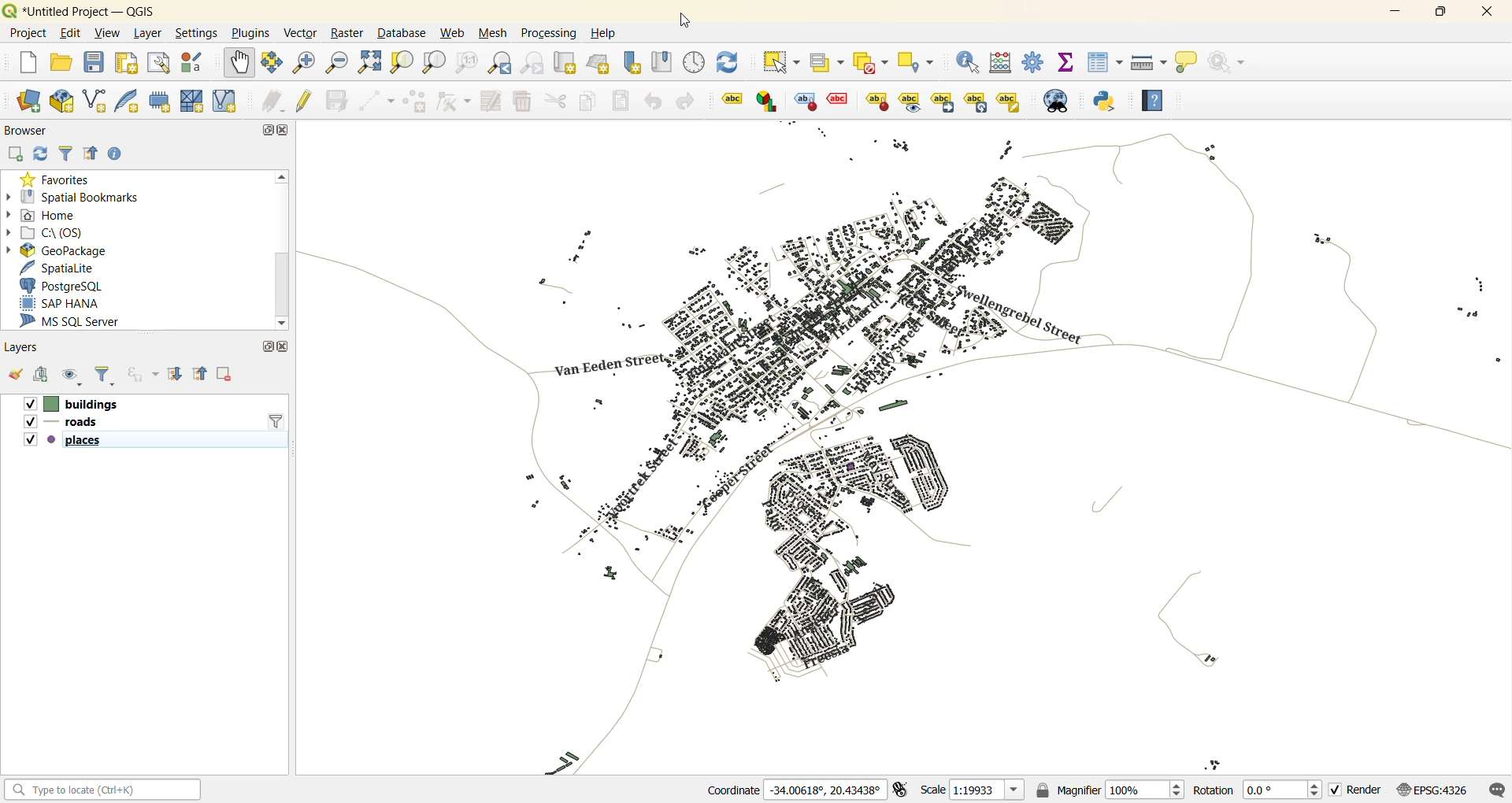 This screenshot has height=803, width=1512. Describe the element at coordinates (1065, 63) in the screenshot. I see `statistical summary` at that location.